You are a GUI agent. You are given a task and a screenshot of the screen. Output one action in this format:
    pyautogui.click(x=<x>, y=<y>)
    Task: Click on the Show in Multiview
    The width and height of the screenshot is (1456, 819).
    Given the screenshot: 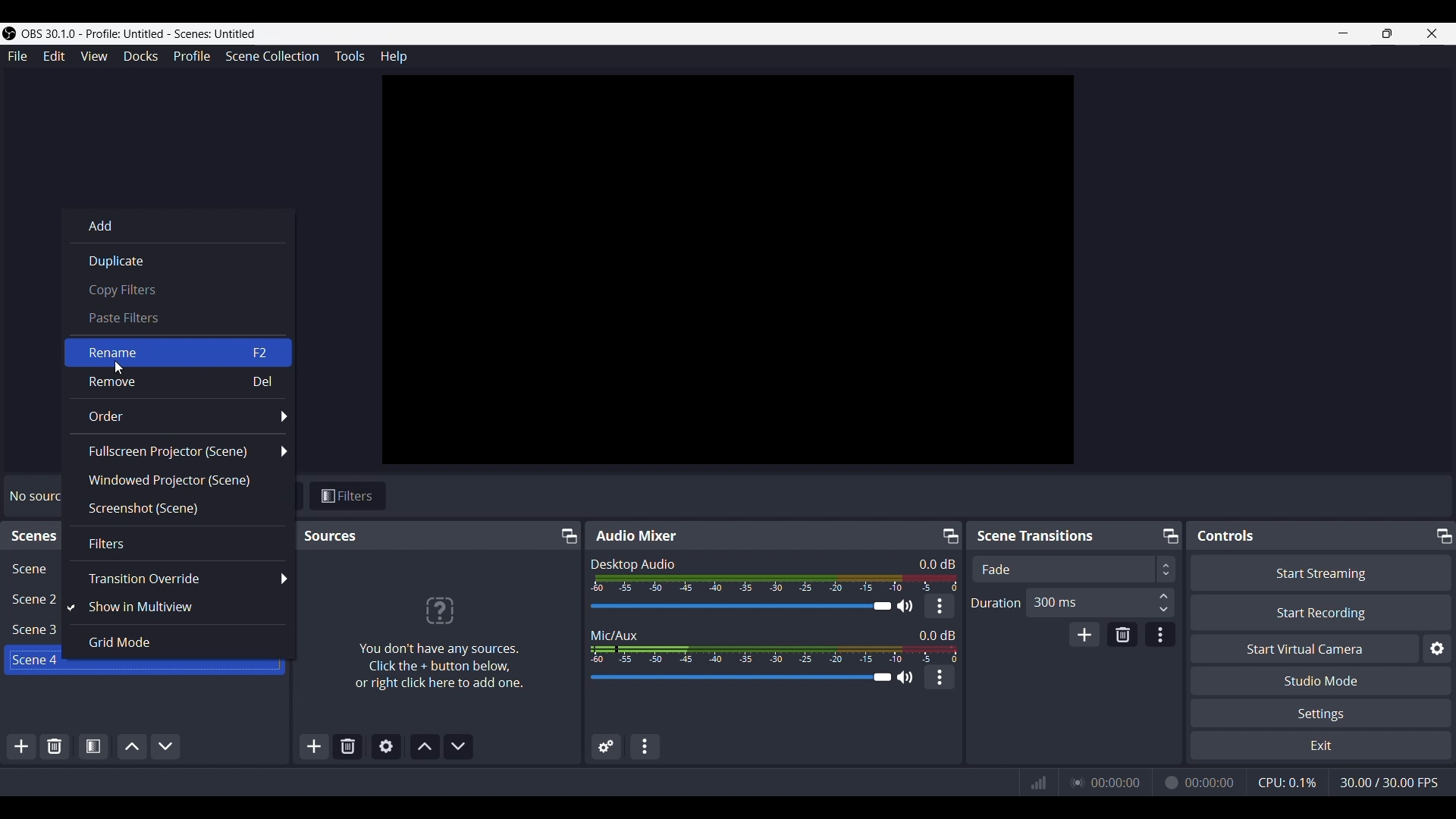 What is the action you would take?
    pyautogui.click(x=130, y=605)
    